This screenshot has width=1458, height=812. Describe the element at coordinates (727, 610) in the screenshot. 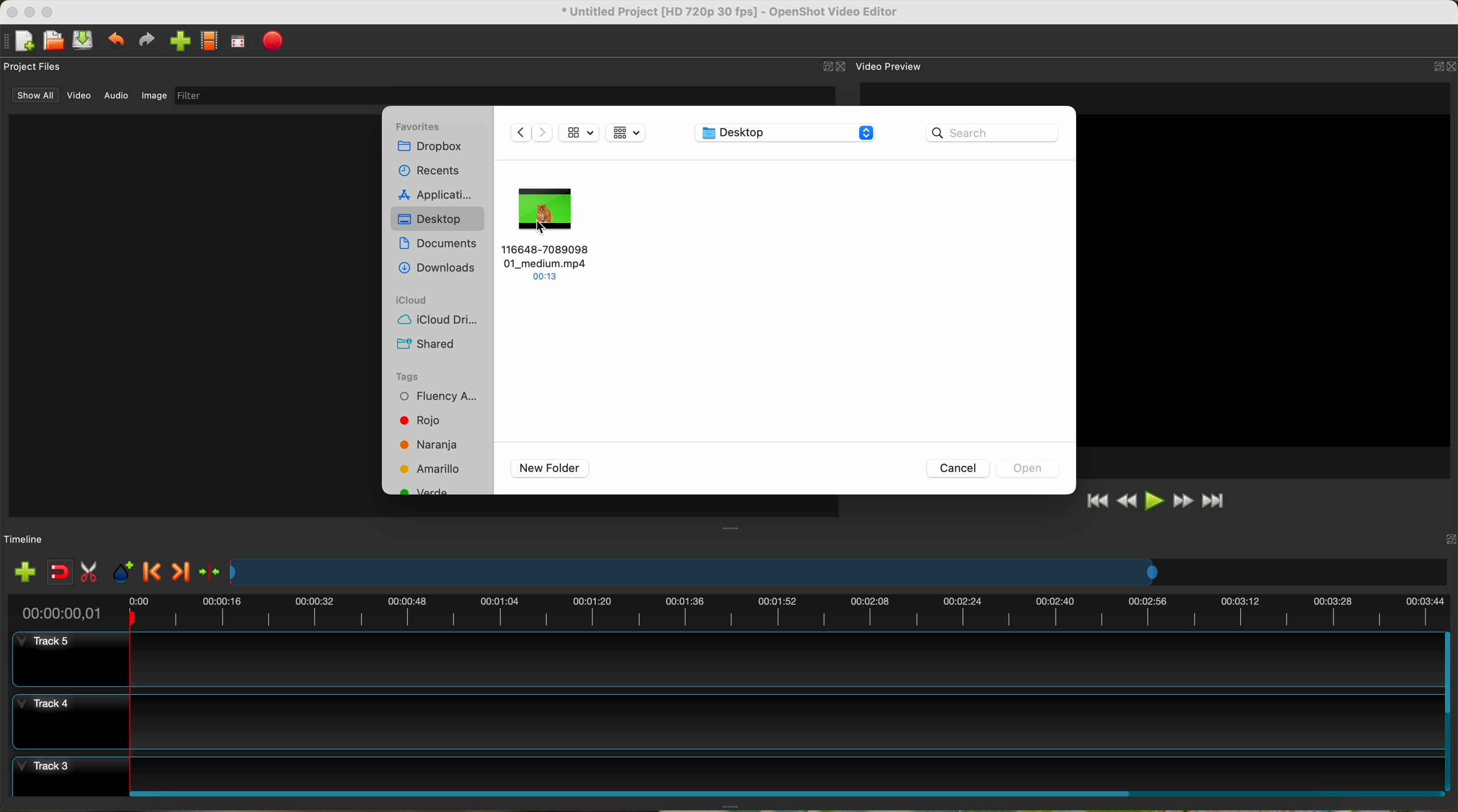

I see `timeline` at that location.